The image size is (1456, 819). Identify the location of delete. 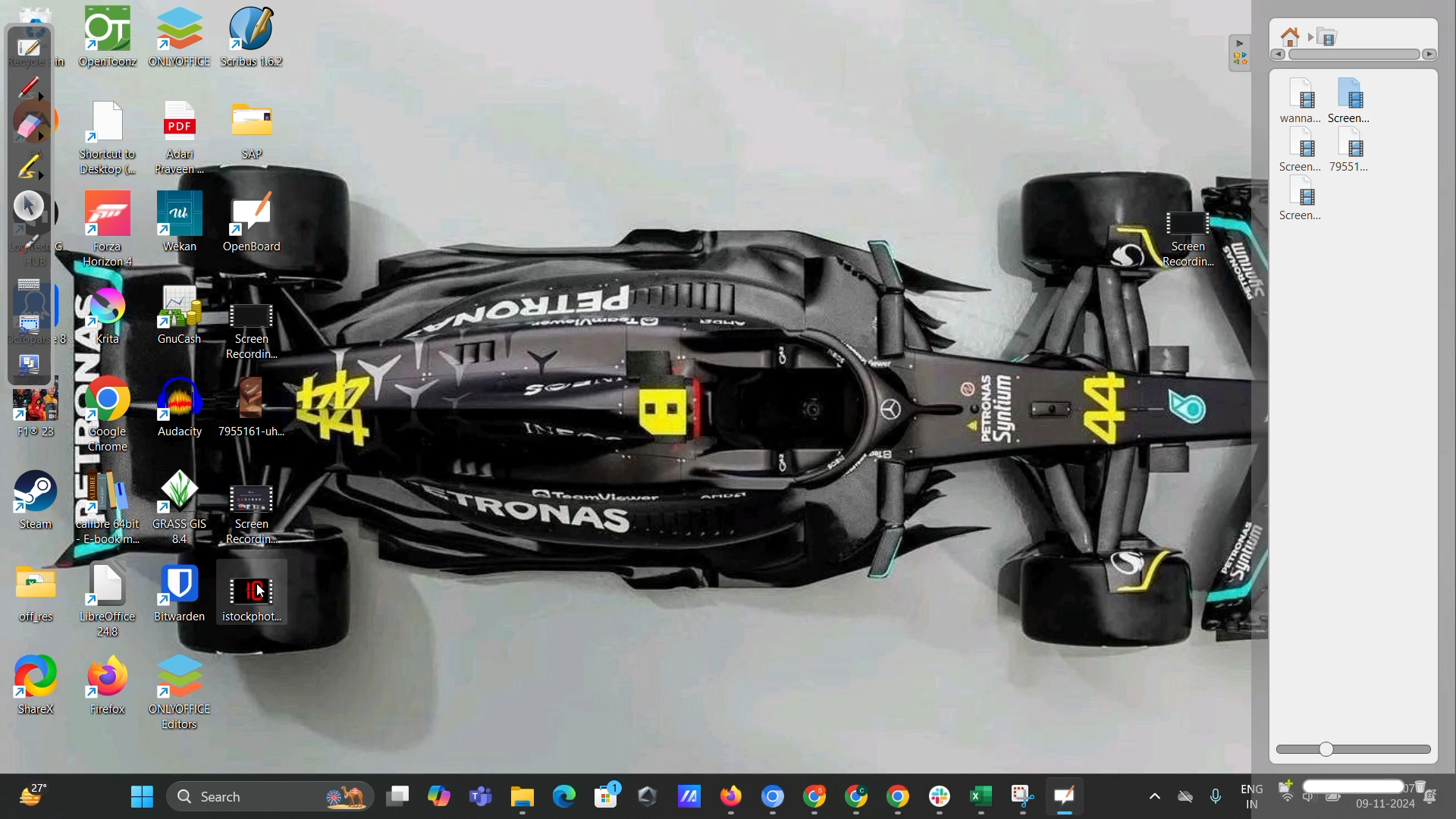
(1427, 793).